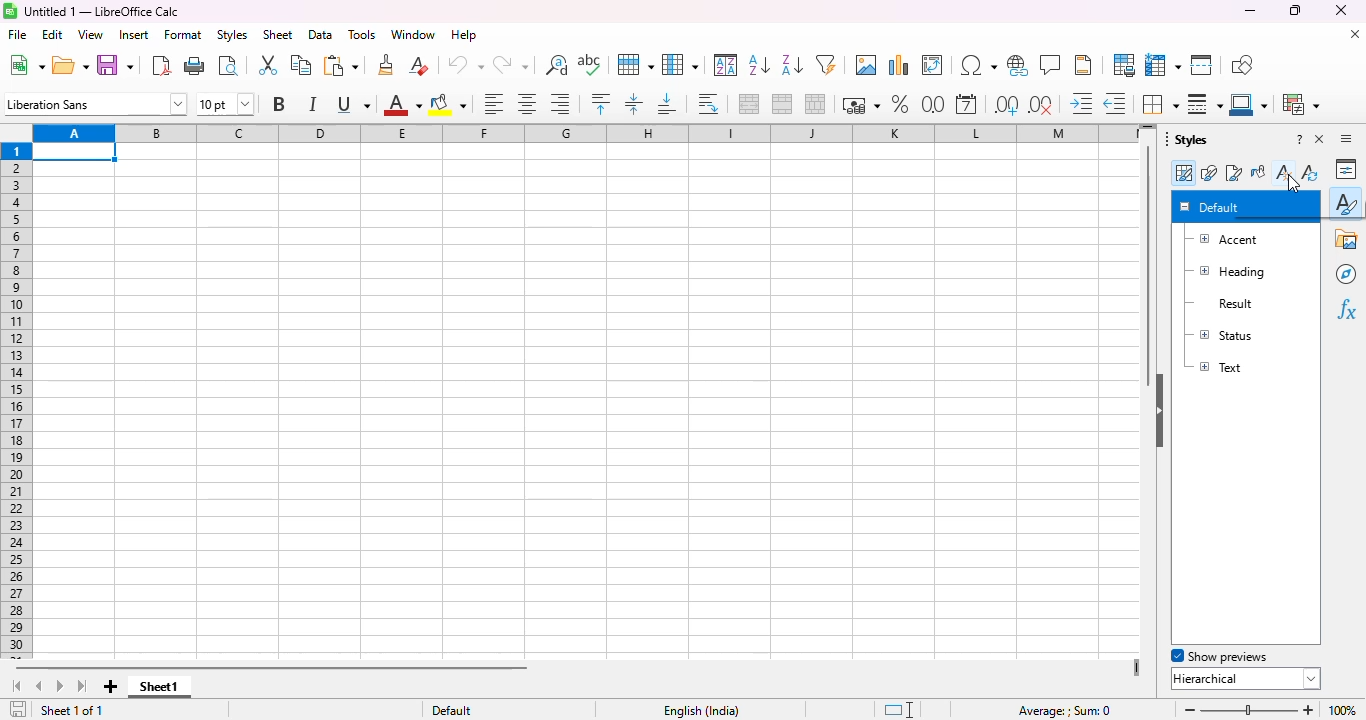 This screenshot has height=720, width=1366. Describe the element at coordinates (511, 65) in the screenshot. I see `redo` at that location.